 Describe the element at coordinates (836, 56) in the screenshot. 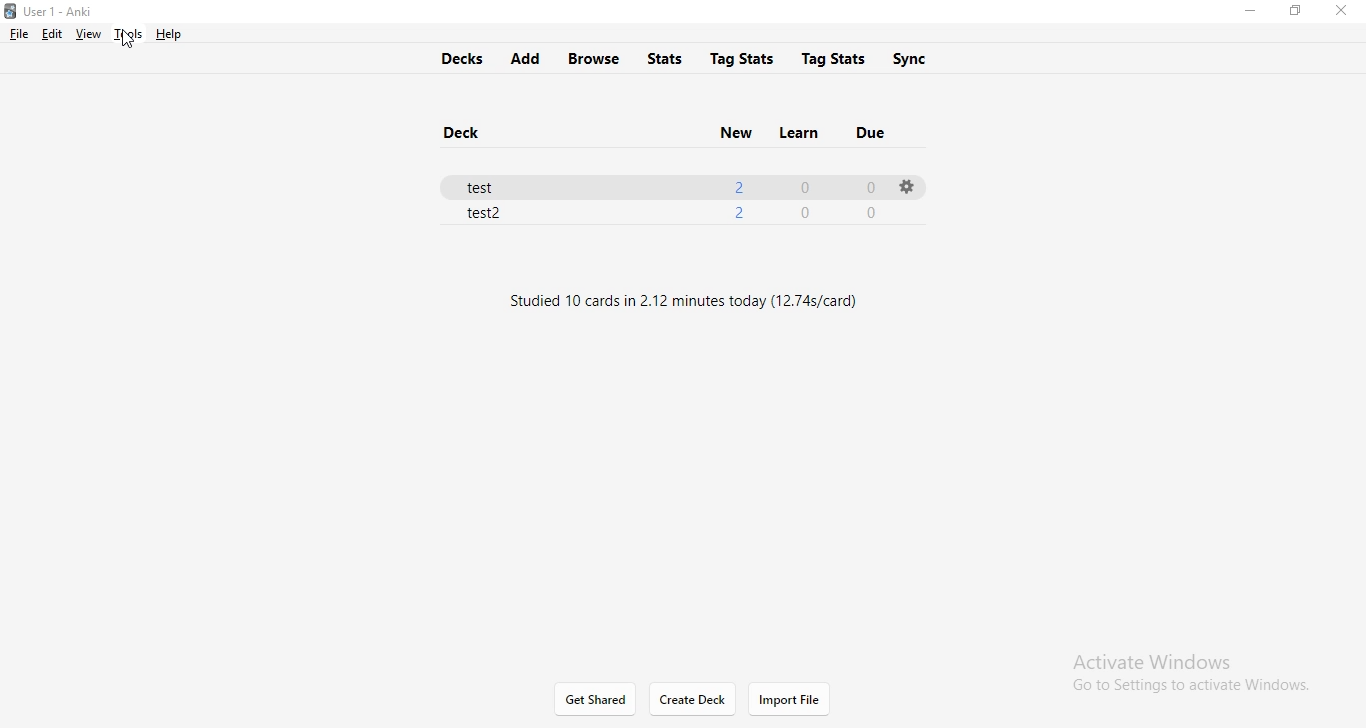

I see `tags stats` at that location.